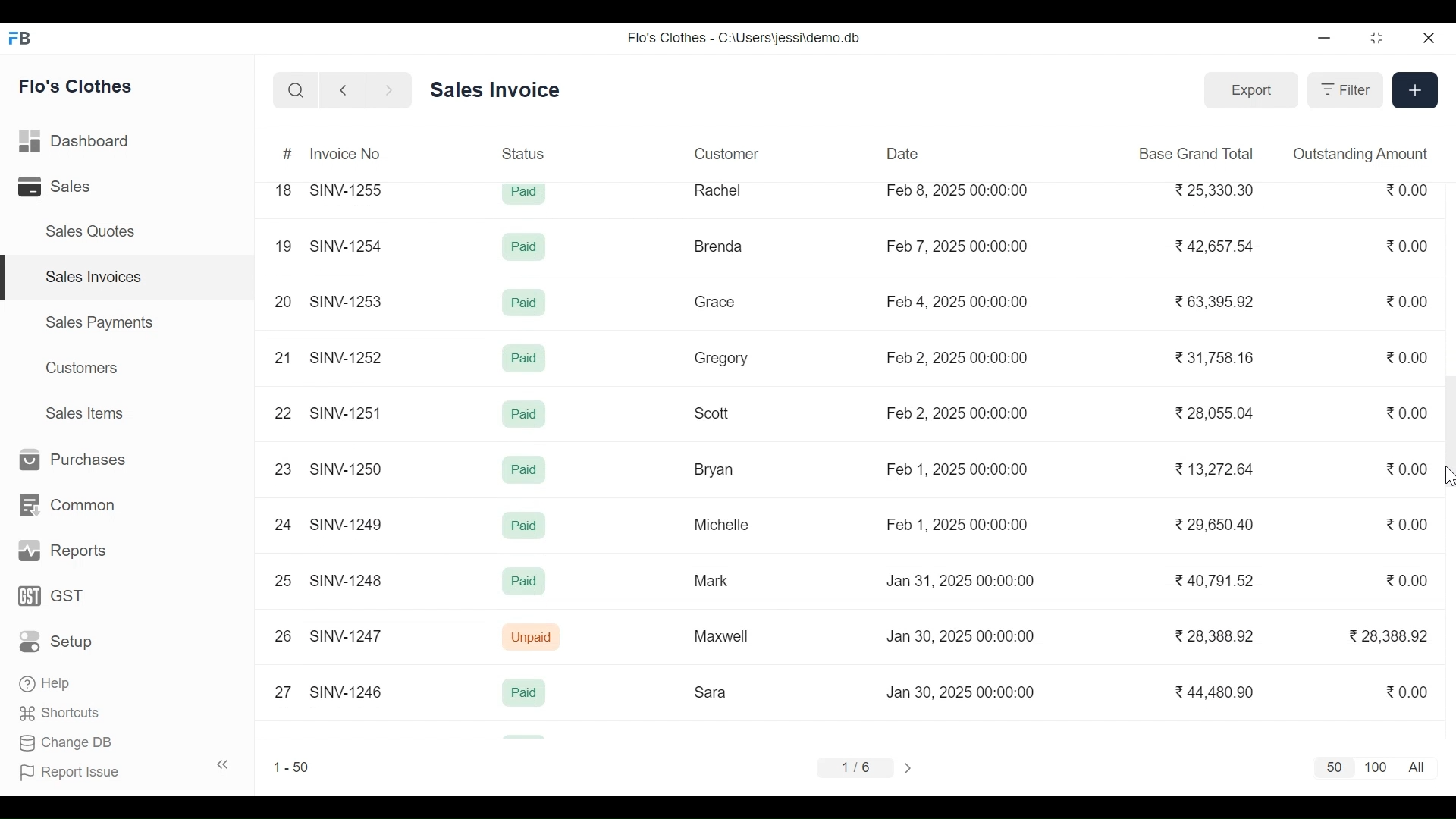 This screenshot has width=1456, height=819. I want to click on Bryan, so click(717, 469).